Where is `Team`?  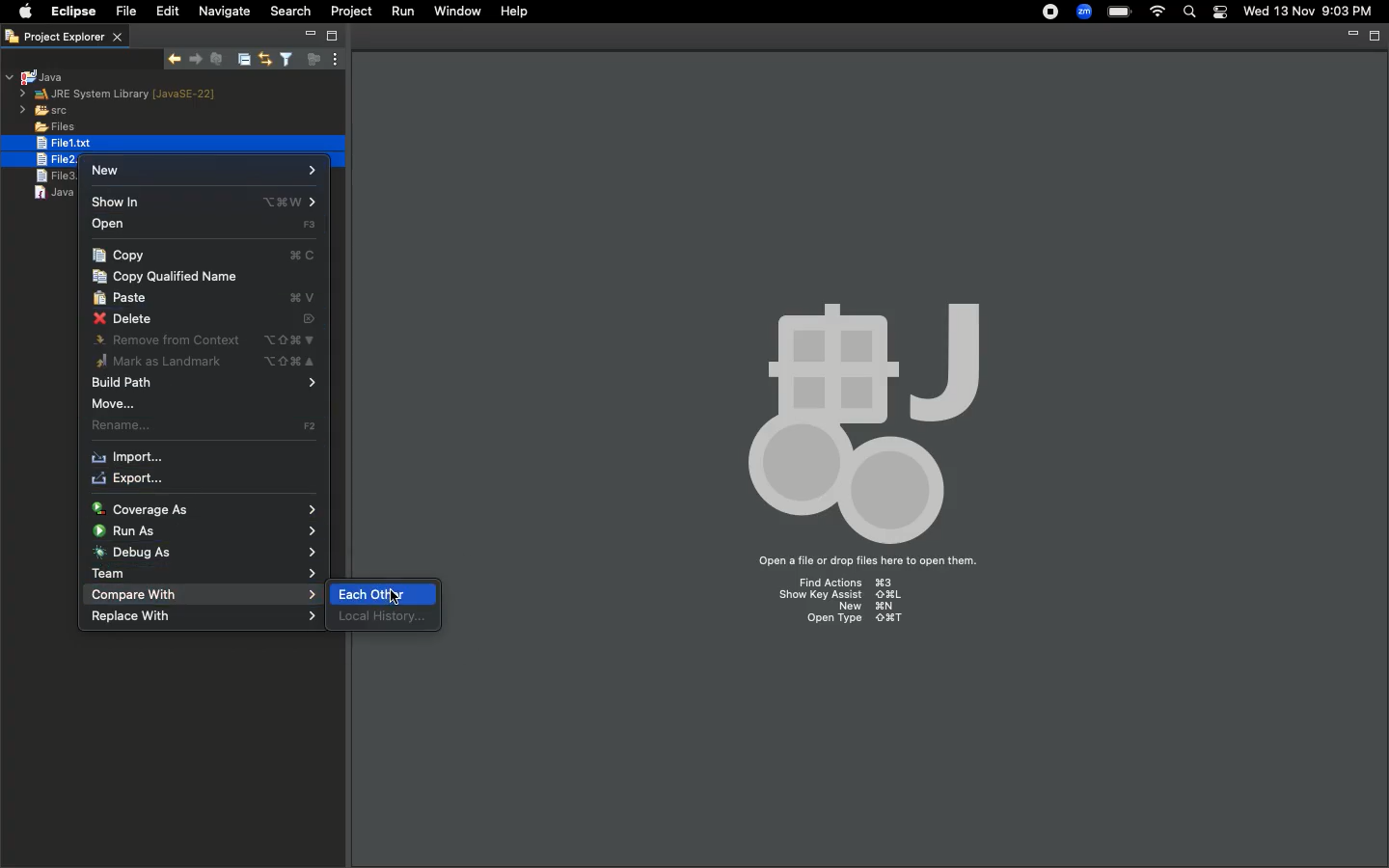
Team is located at coordinates (204, 572).